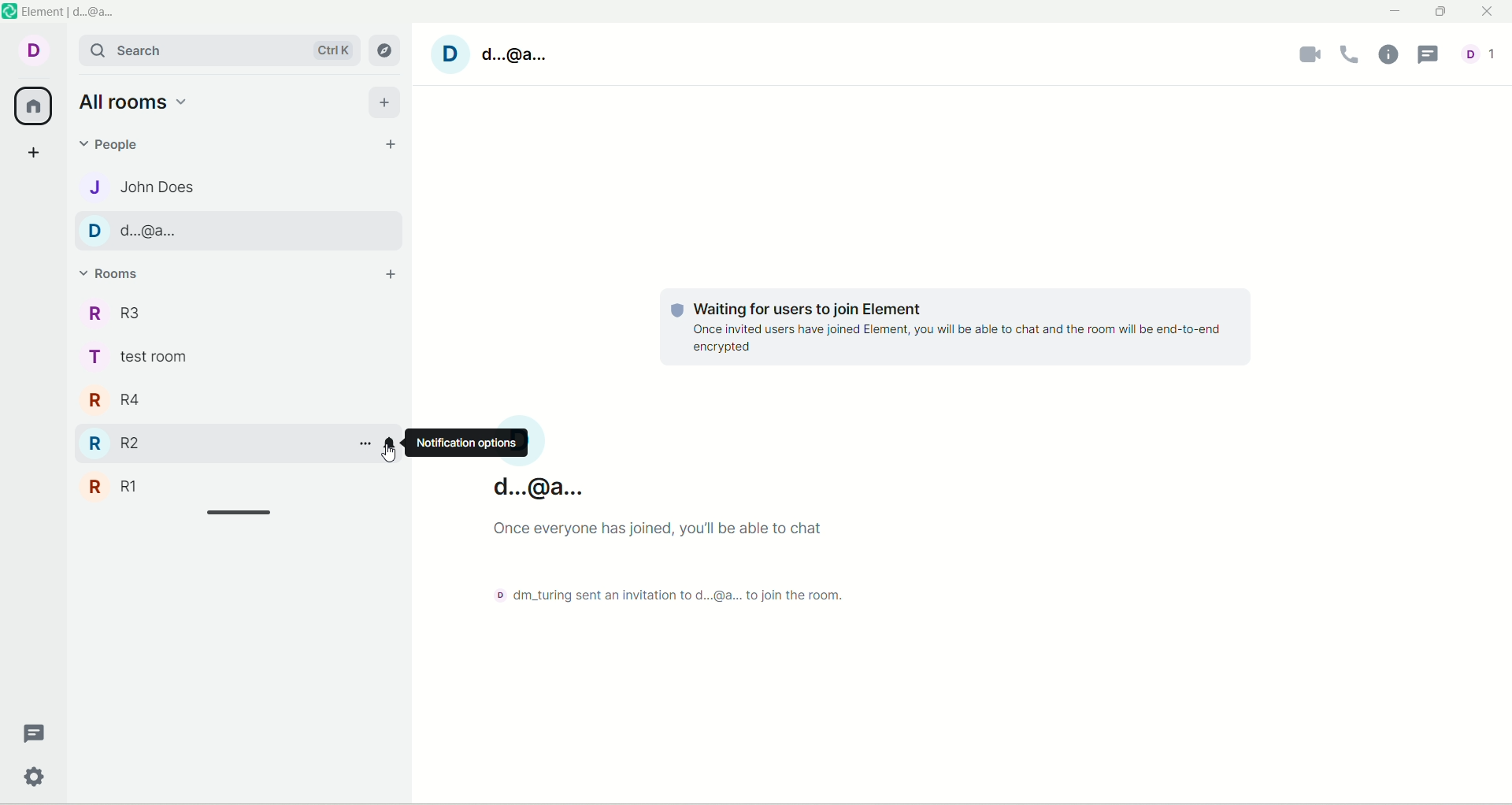 The width and height of the screenshot is (1512, 805). What do you see at coordinates (147, 359) in the screenshot?
I see `test room` at bounding box center [147, 359].